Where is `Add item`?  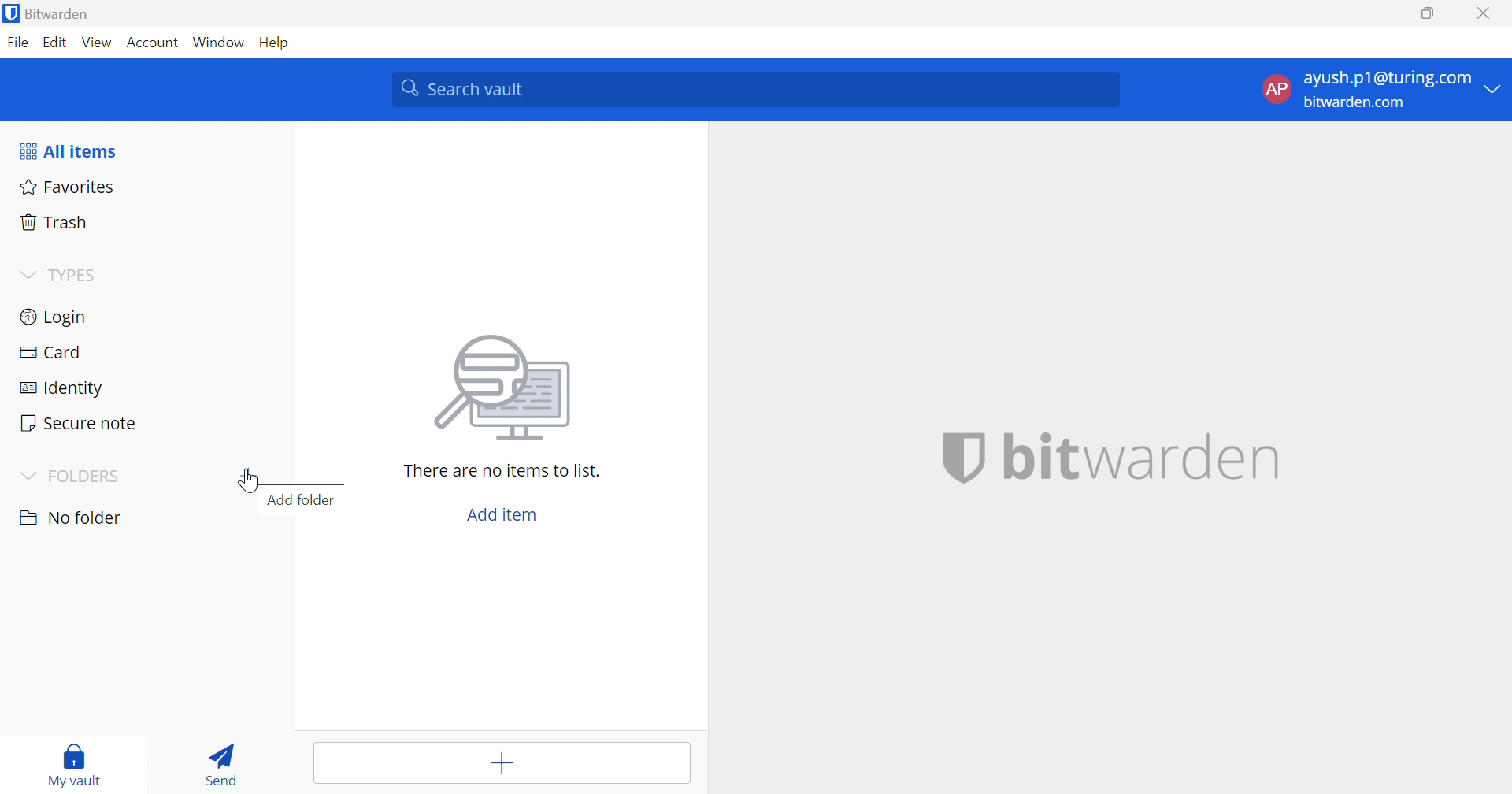 Add item is located at coordinates (510, 515).